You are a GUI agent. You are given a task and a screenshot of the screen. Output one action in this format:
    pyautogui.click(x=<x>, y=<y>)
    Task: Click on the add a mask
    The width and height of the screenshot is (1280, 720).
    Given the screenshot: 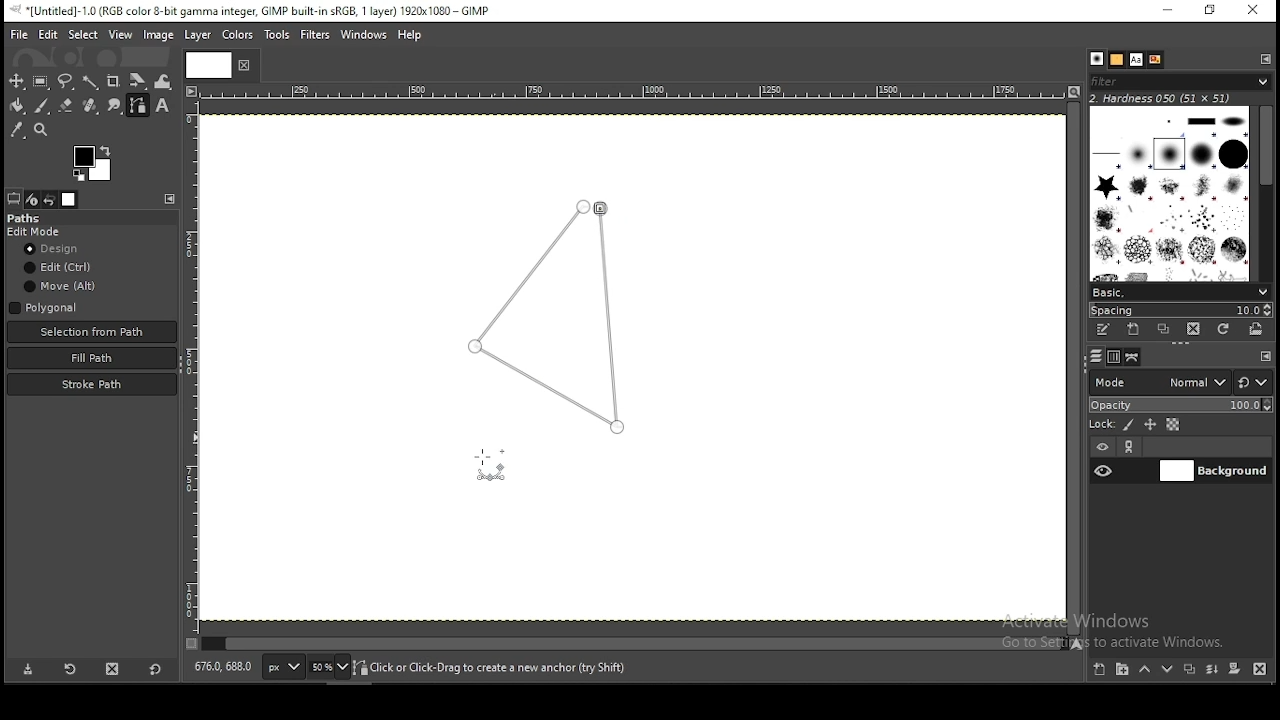 What is the action you would take?
    pyautogui.click(x=1235, y=669)
    